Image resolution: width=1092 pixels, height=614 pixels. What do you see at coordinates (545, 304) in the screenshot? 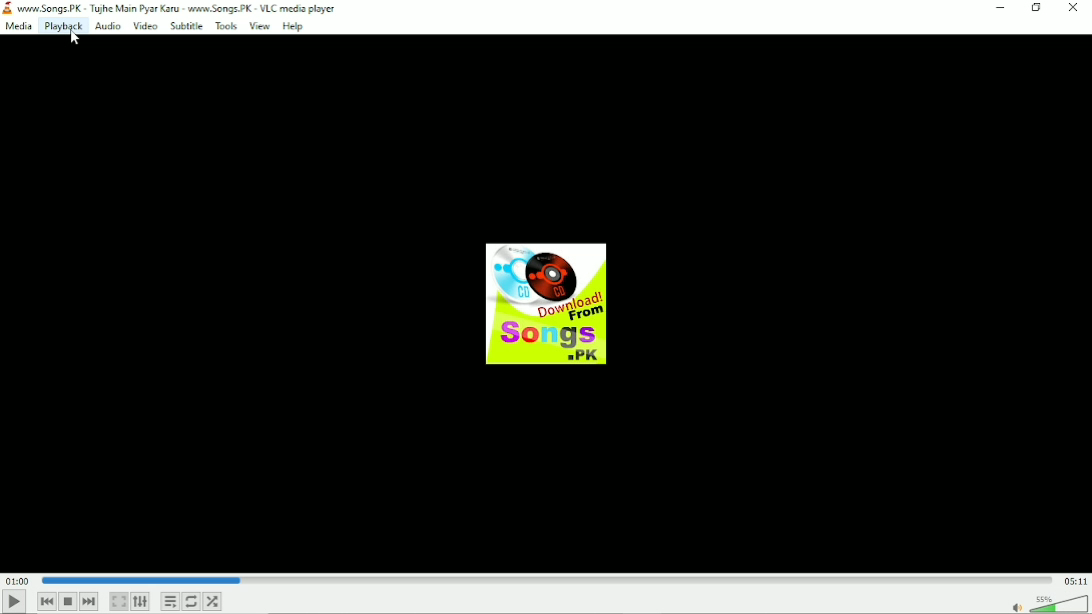
I see `Audio track` at bounding box center [545, 304].